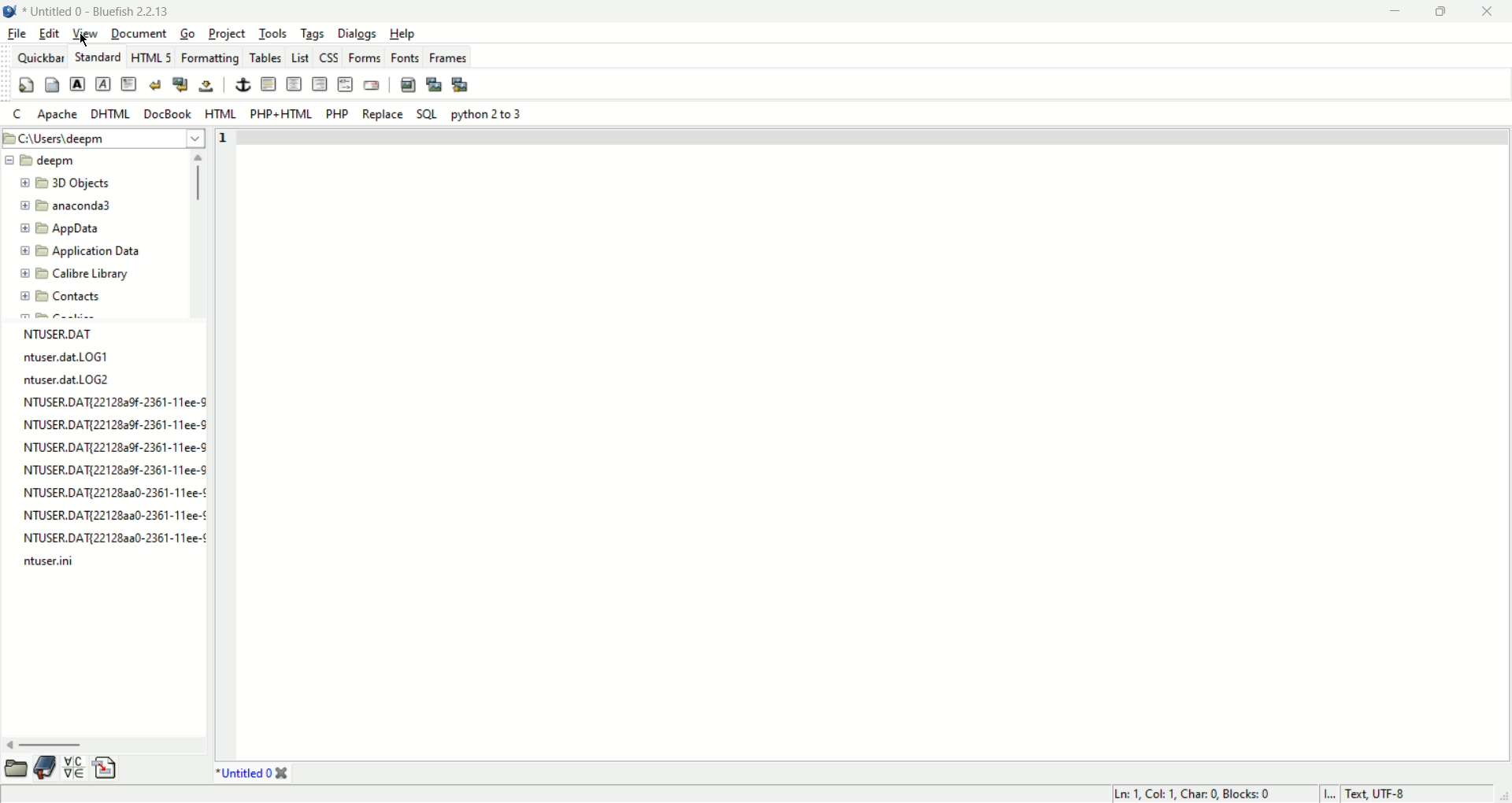  What do you see at coordinates (17, 33) in the screenshot?
I see `file` at bounding box center [17, 33].